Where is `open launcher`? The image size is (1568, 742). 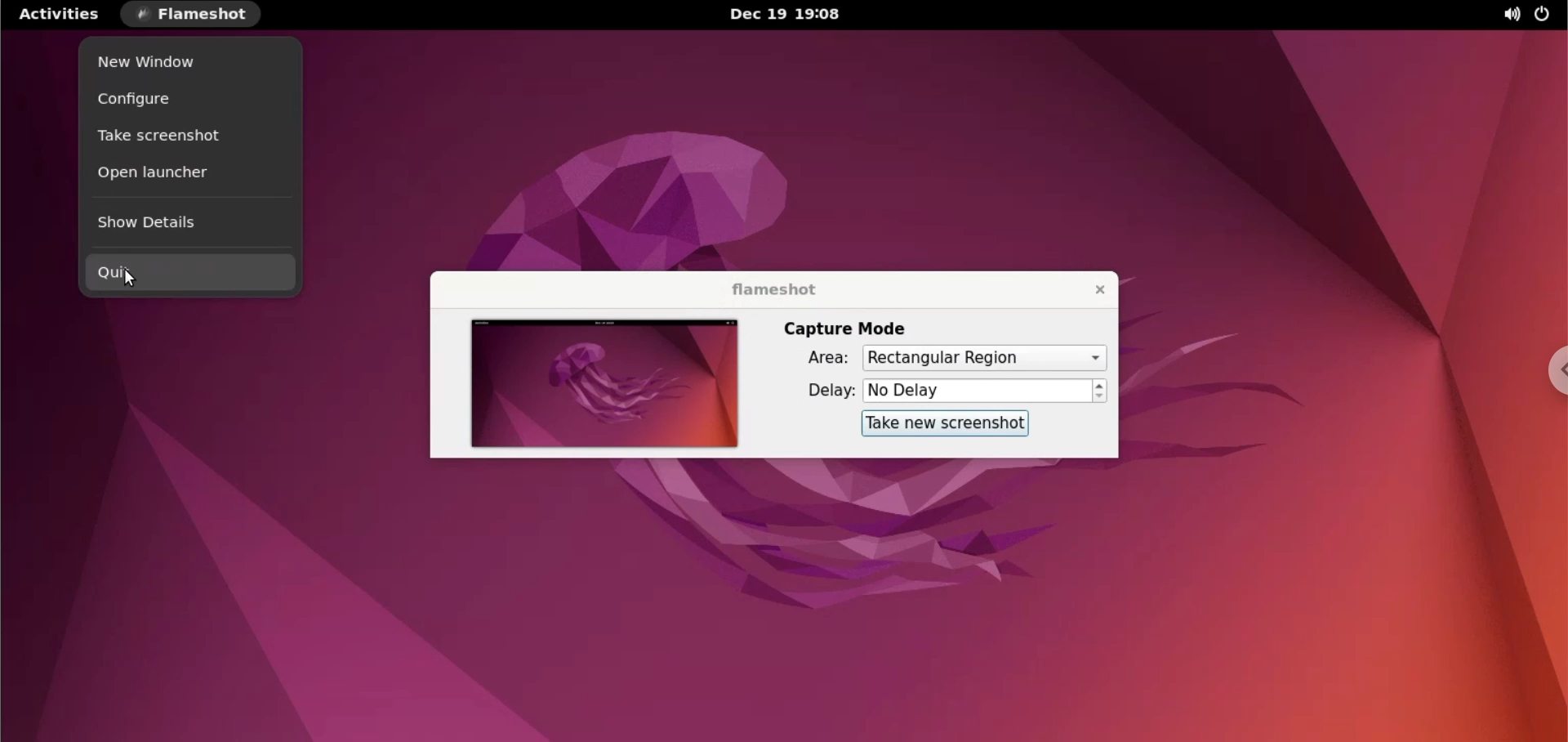 open launcher is located at coordinates (189, 179).